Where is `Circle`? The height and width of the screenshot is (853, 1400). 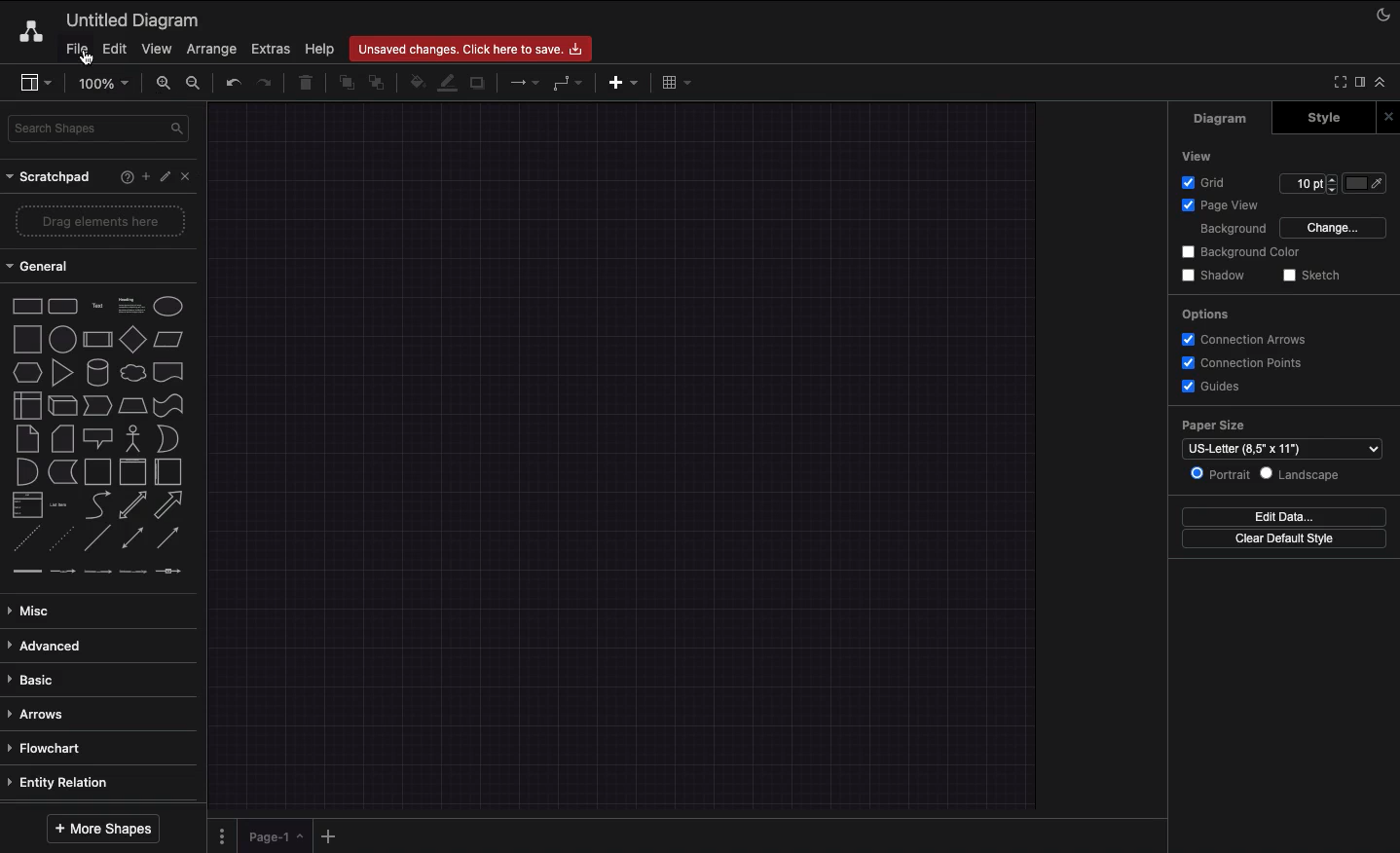
Circle is located at coordinates (62, 337).